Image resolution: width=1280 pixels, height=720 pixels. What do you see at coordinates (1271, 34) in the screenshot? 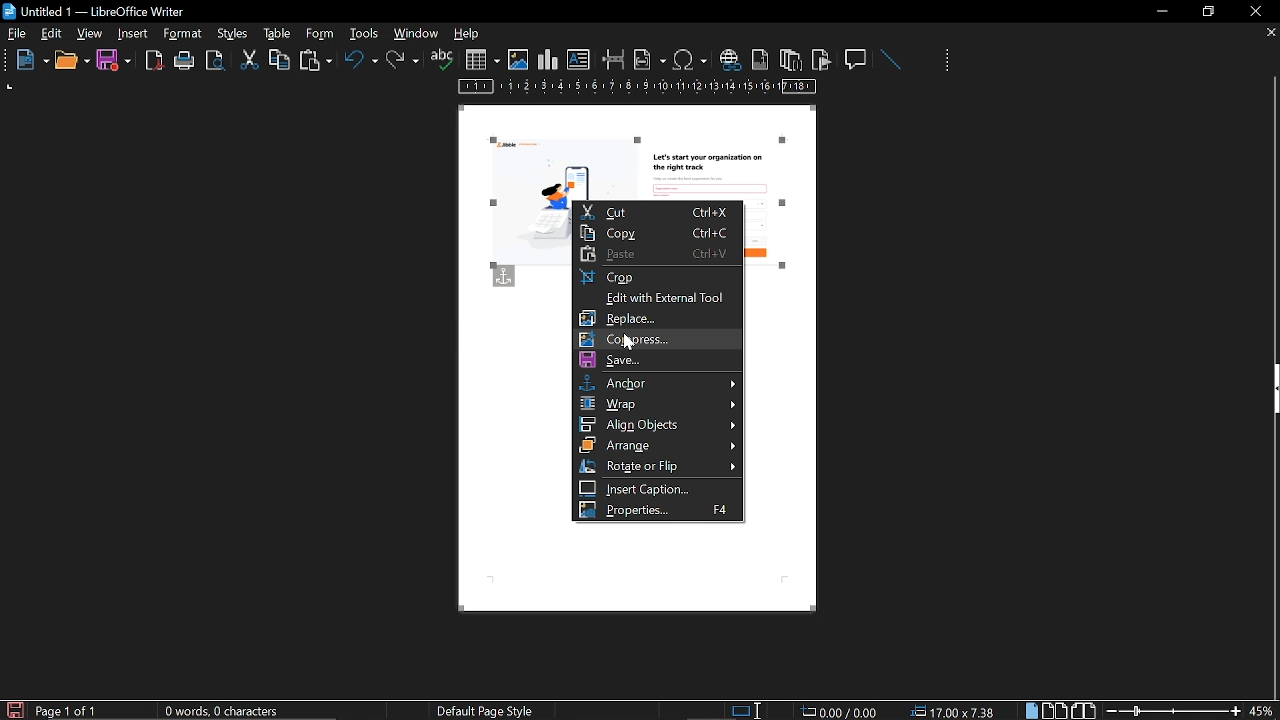
I see `close tab` at bounding box center [1271, 34].